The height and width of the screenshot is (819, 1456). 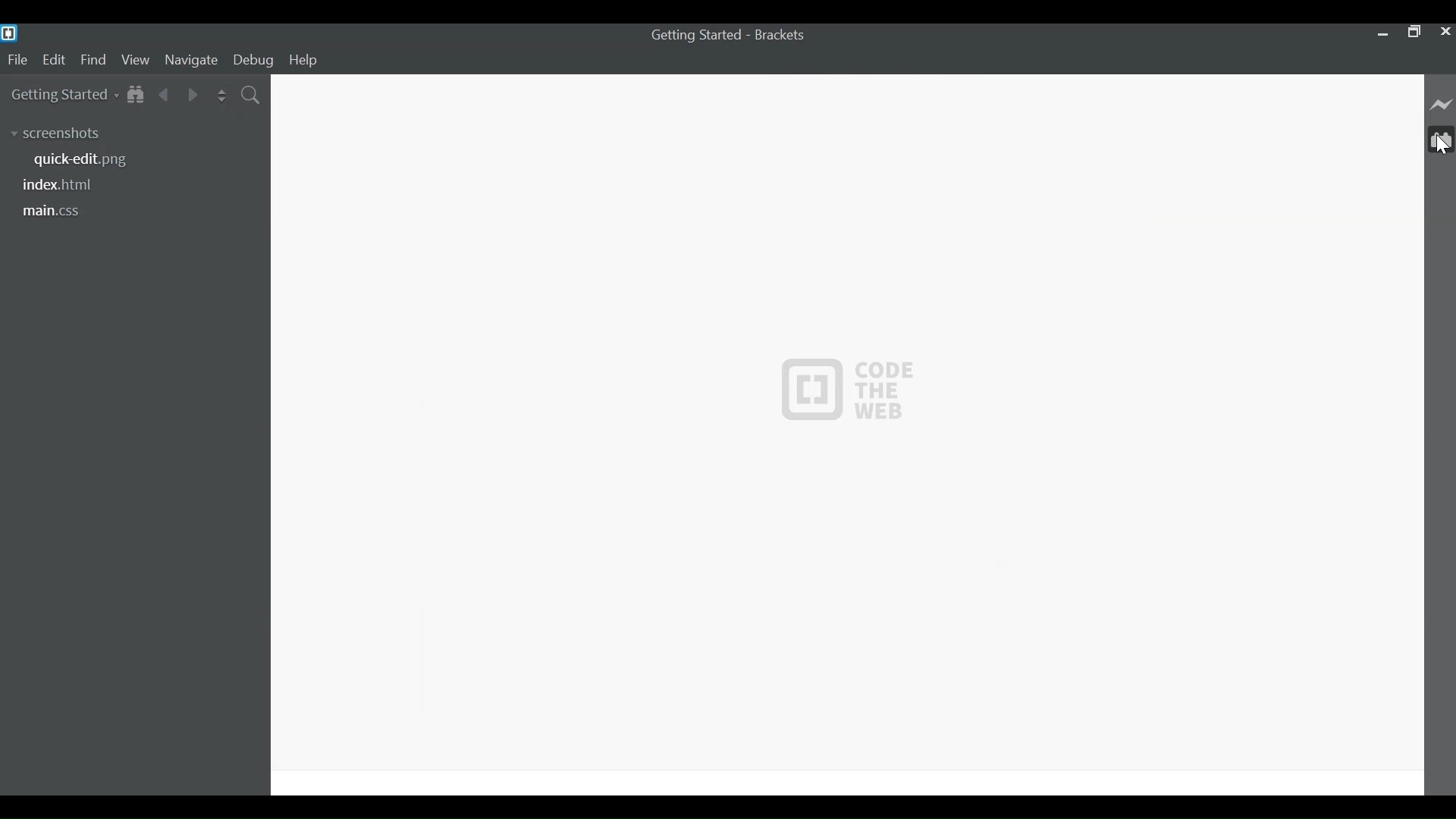 What do you see at coordinates (1414, 33) in the screenshot?
I see `Restore` at bounding box center [1414, 33].